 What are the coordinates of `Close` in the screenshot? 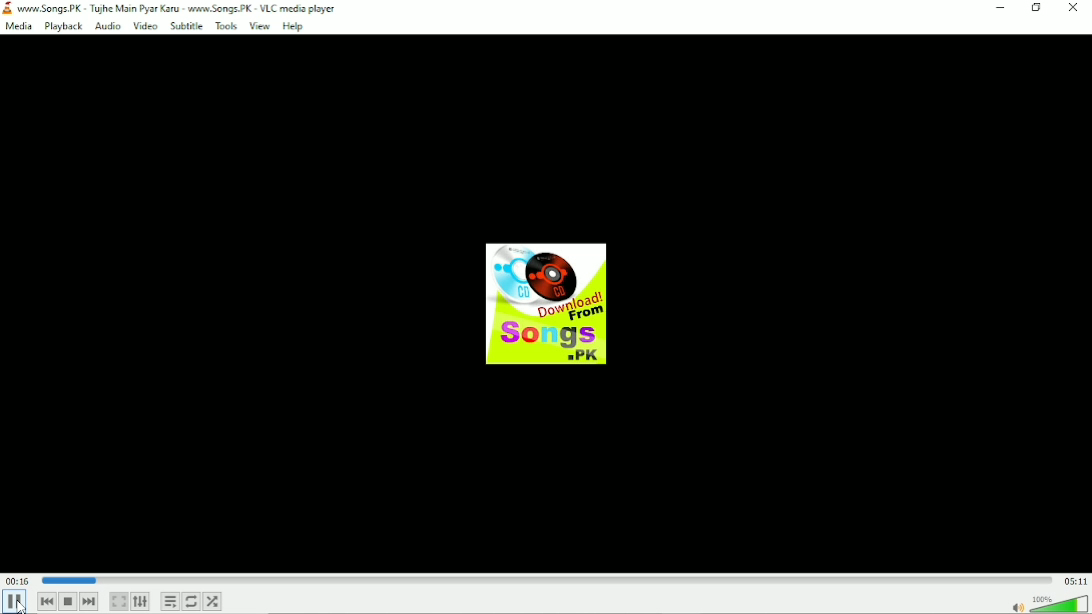 It's located at (1075, 10).